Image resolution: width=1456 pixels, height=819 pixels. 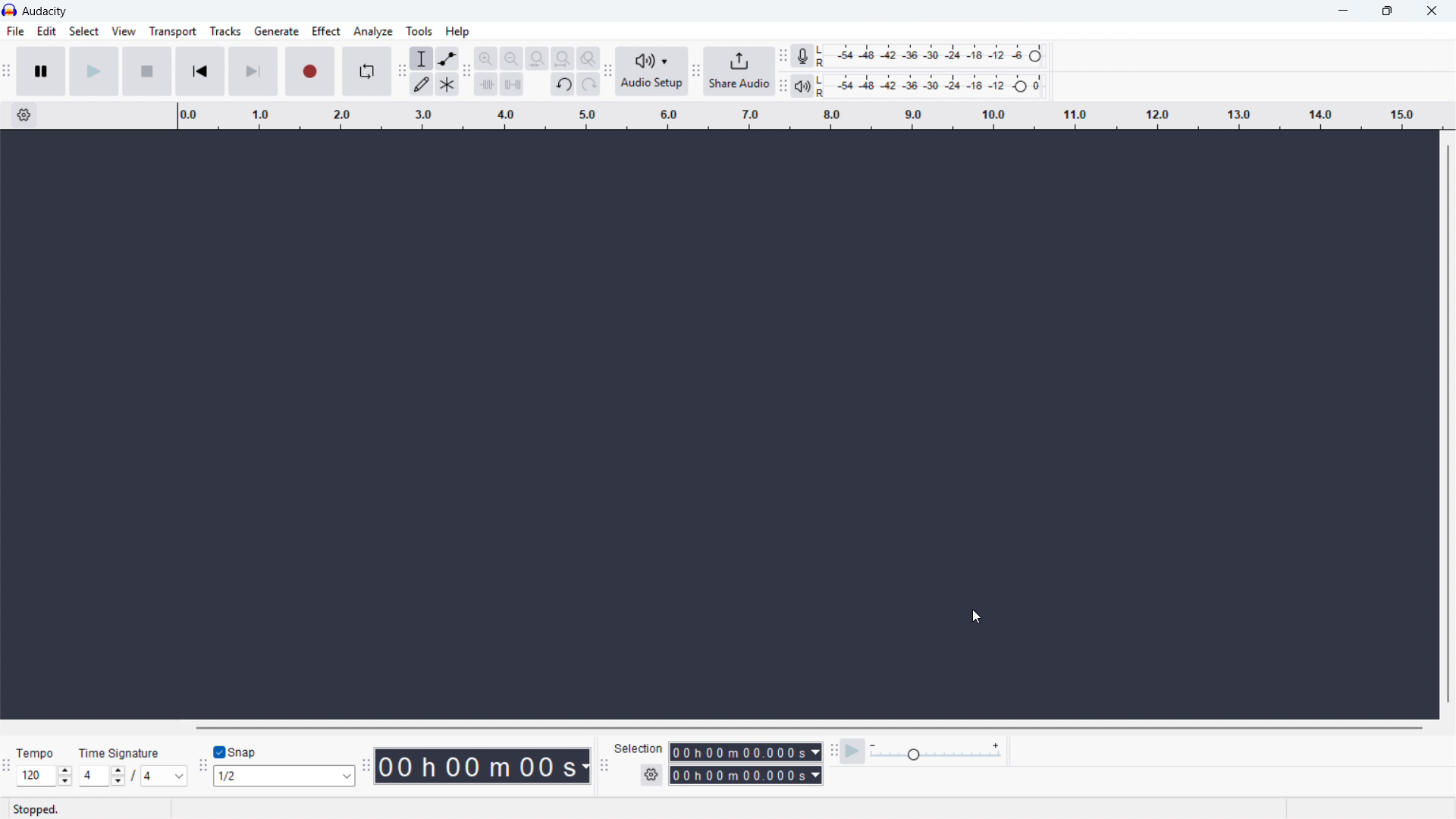 I want to click on trim audio outside selction, so click(x=486, y=83).